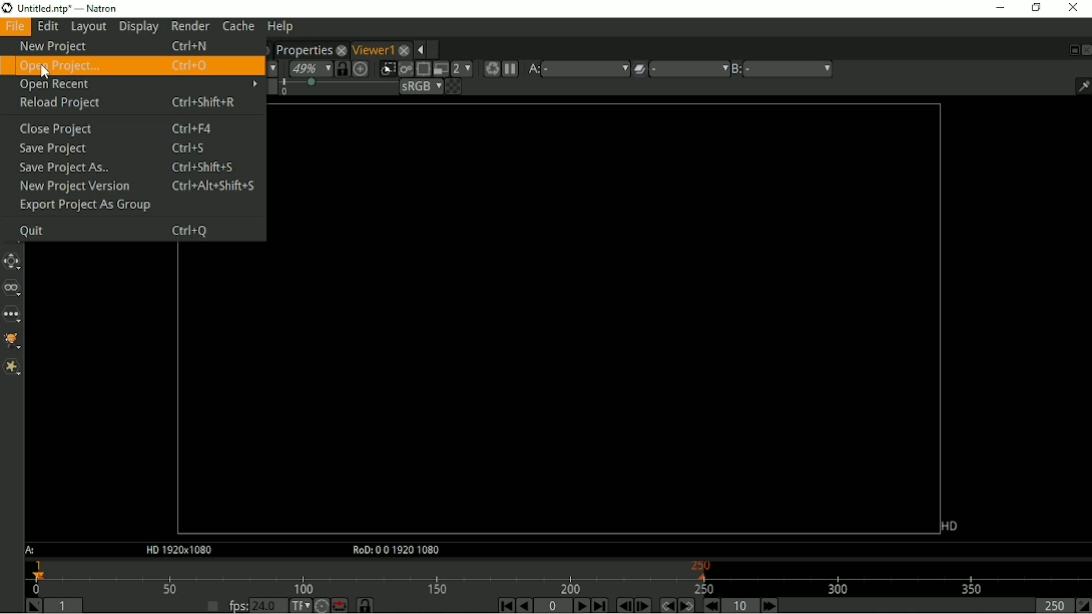  I want to click on fps, so click(238, 605).